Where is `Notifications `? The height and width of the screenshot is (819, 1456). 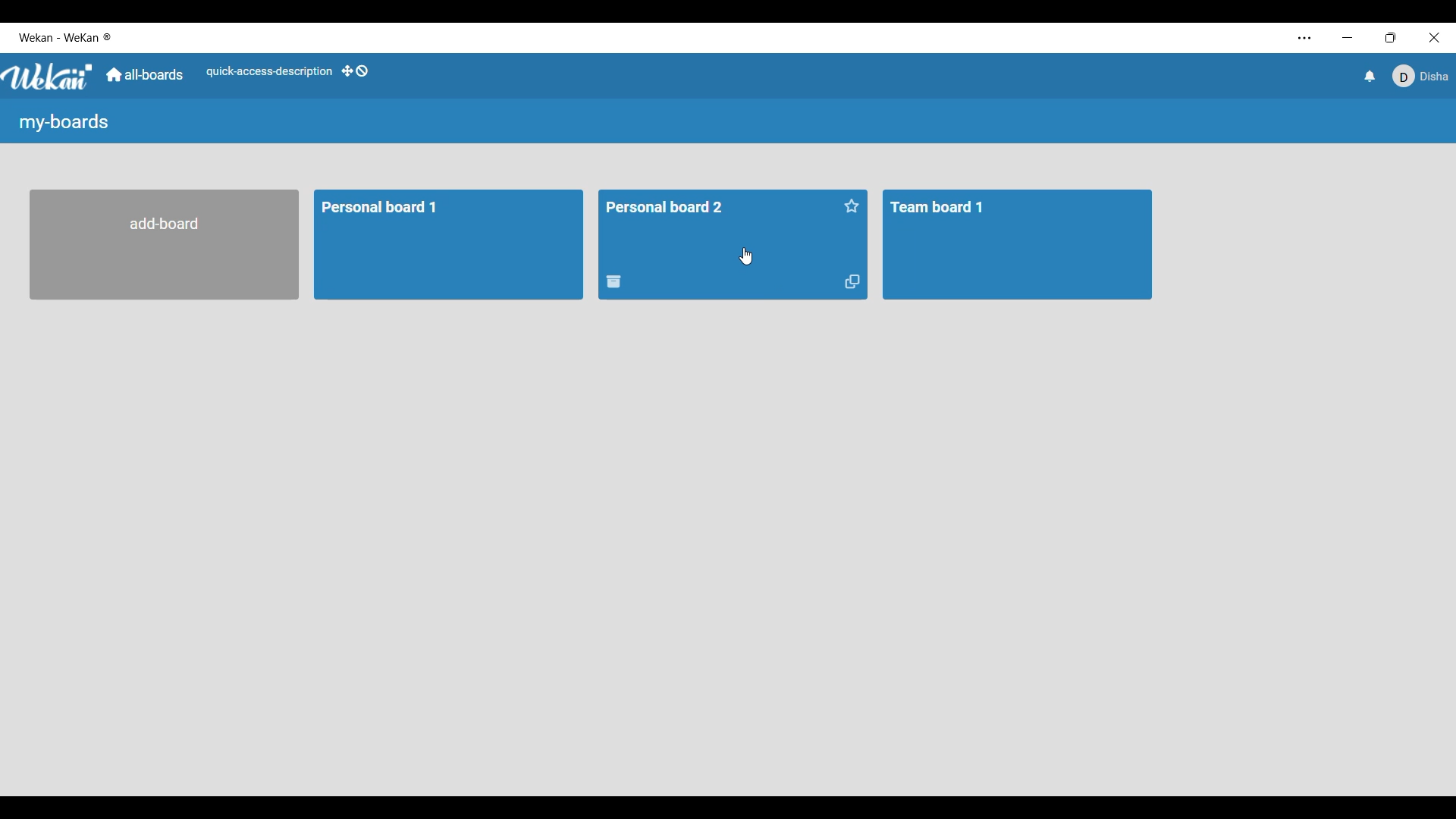 Notifications  is located at coordinates (1370, 76).